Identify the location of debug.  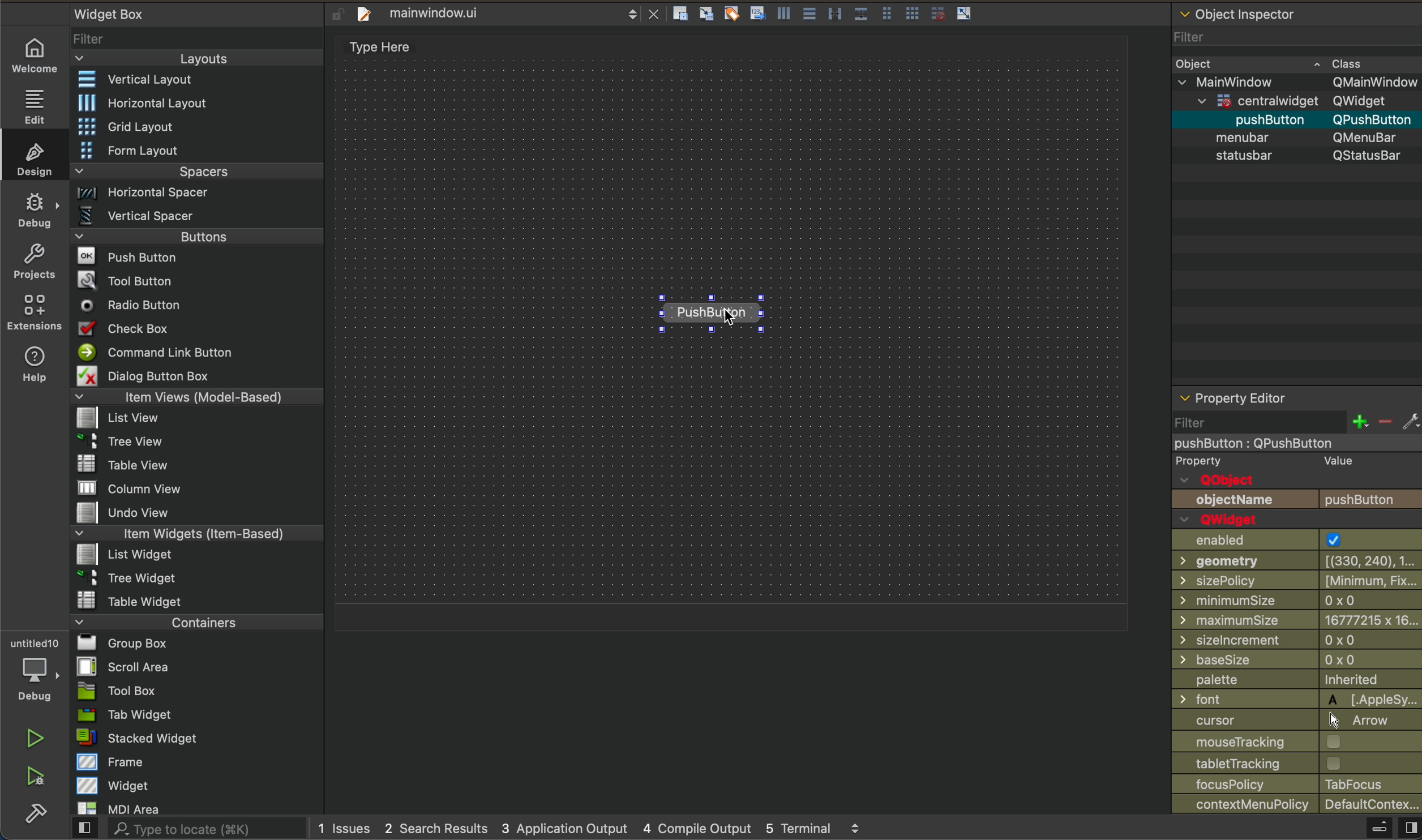
(33, 211).